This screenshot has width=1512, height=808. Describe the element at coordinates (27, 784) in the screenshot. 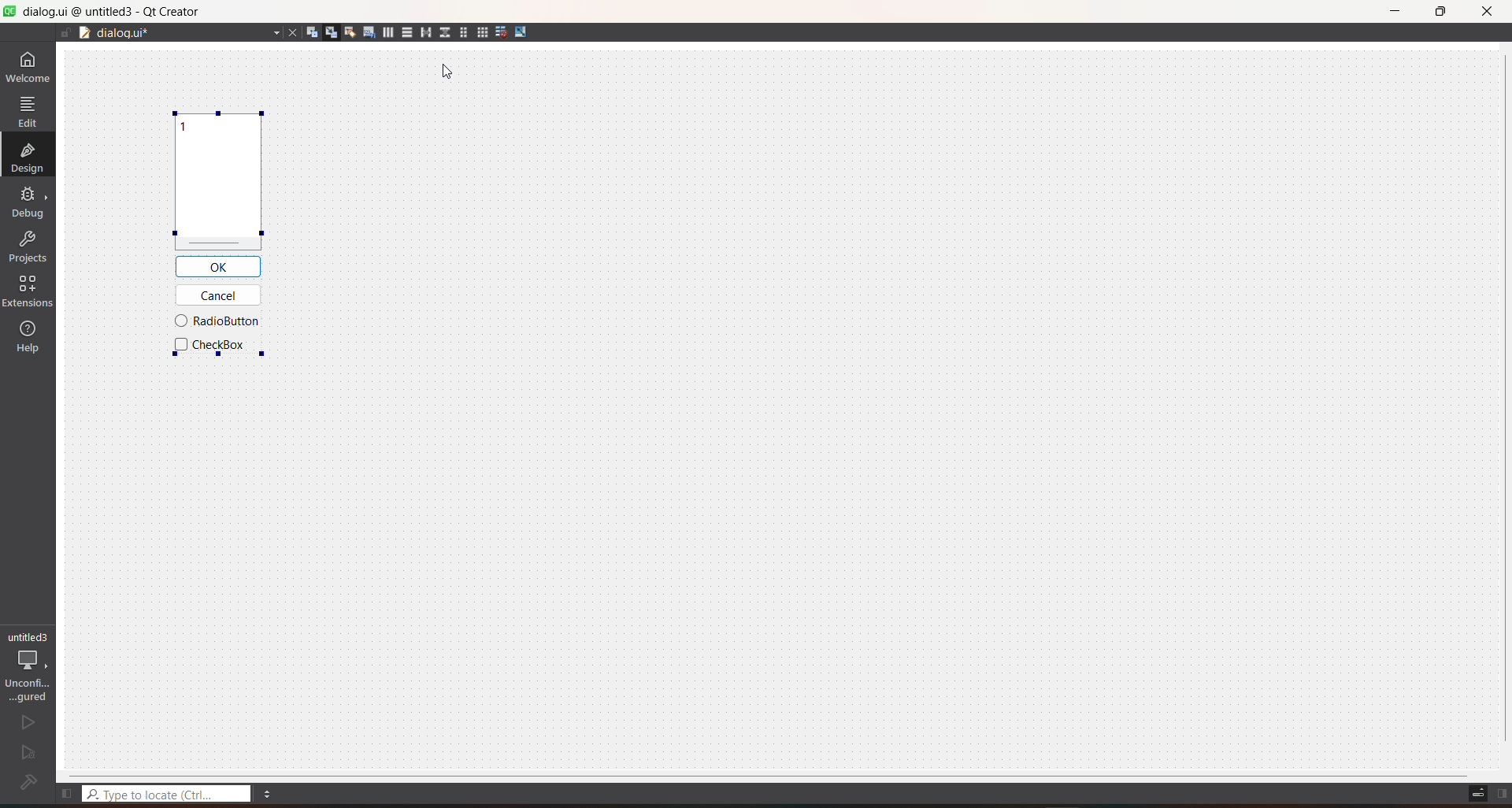

I see `file configuration` at that location.